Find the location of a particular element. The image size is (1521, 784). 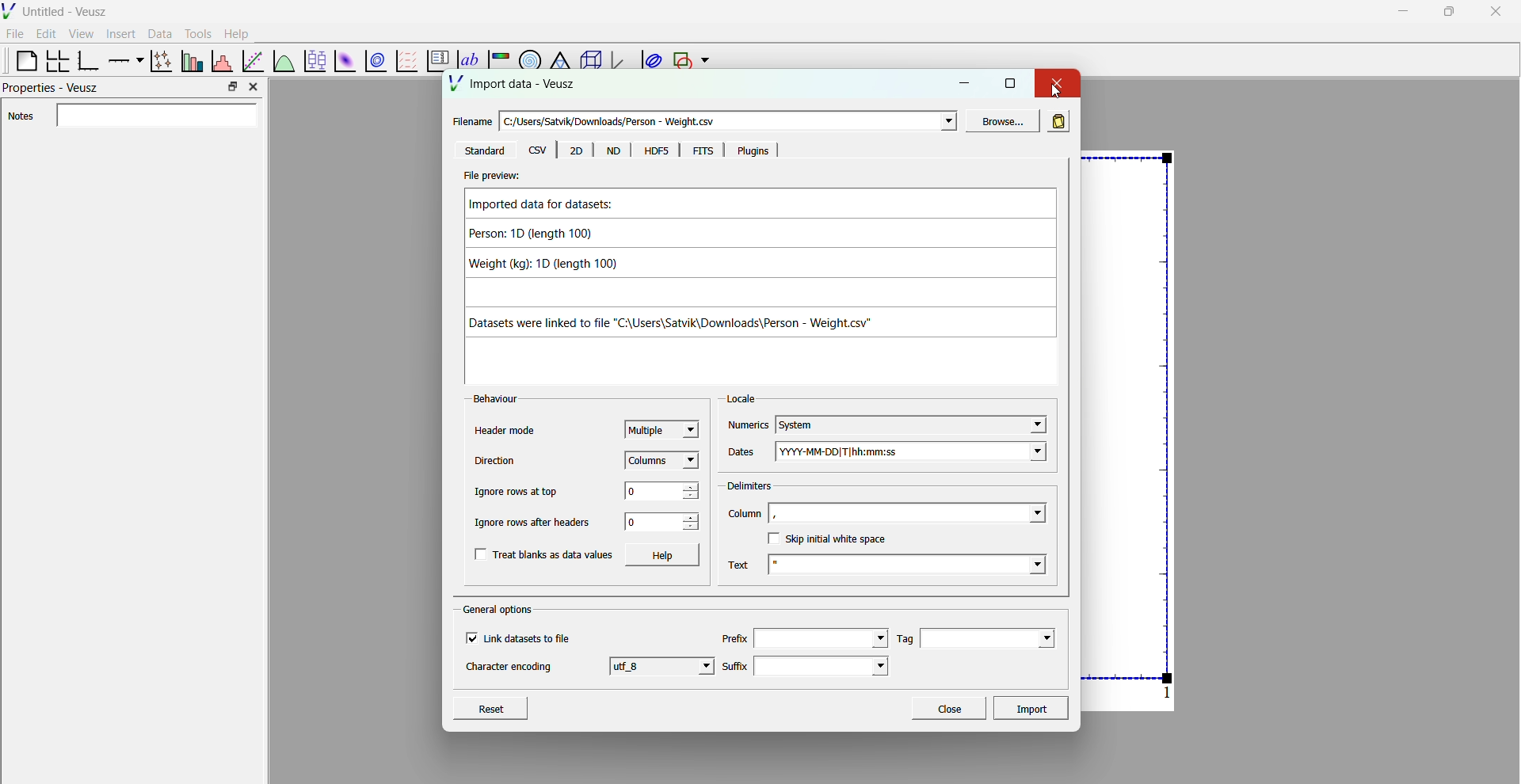

delimiters is located at coordinates (748, 483).